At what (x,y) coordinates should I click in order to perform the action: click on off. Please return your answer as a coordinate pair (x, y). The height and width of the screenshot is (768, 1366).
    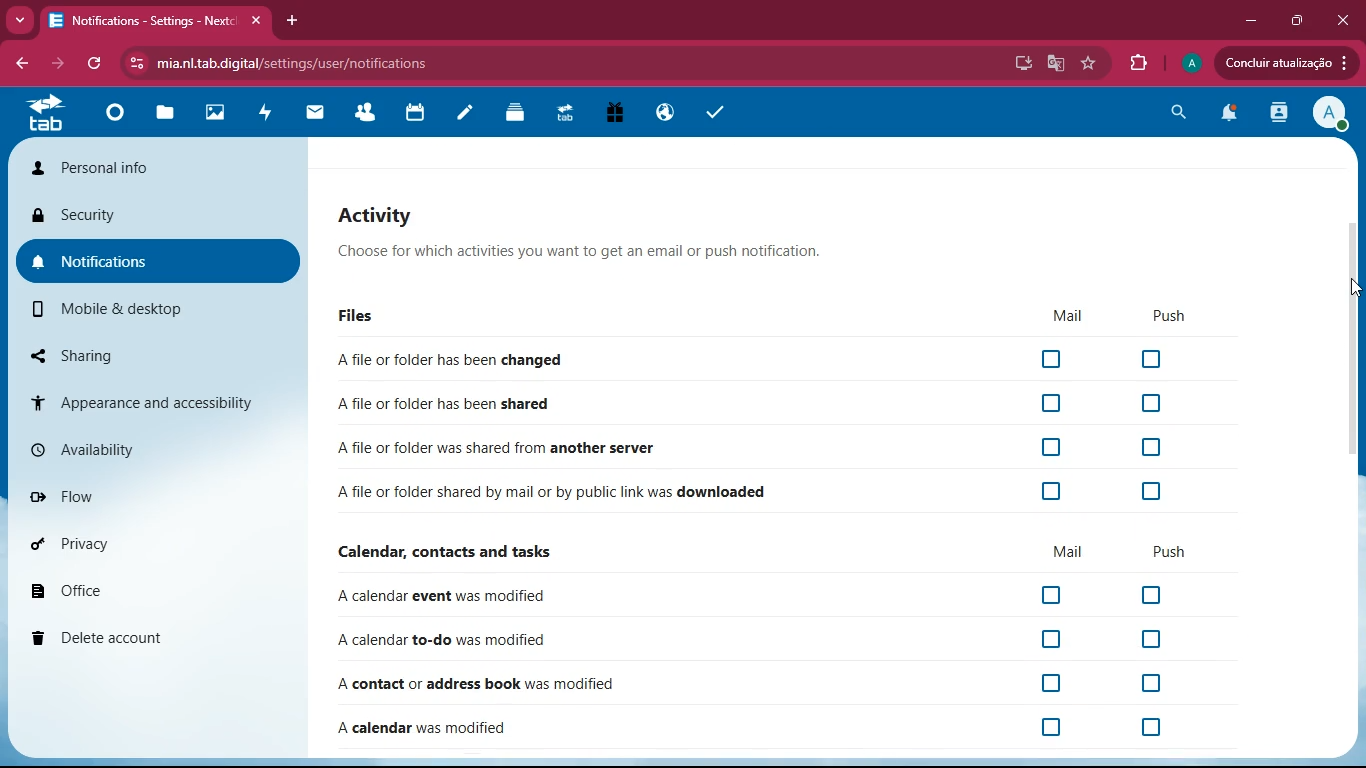
    Looking at the image, I should click on (1049, 639).